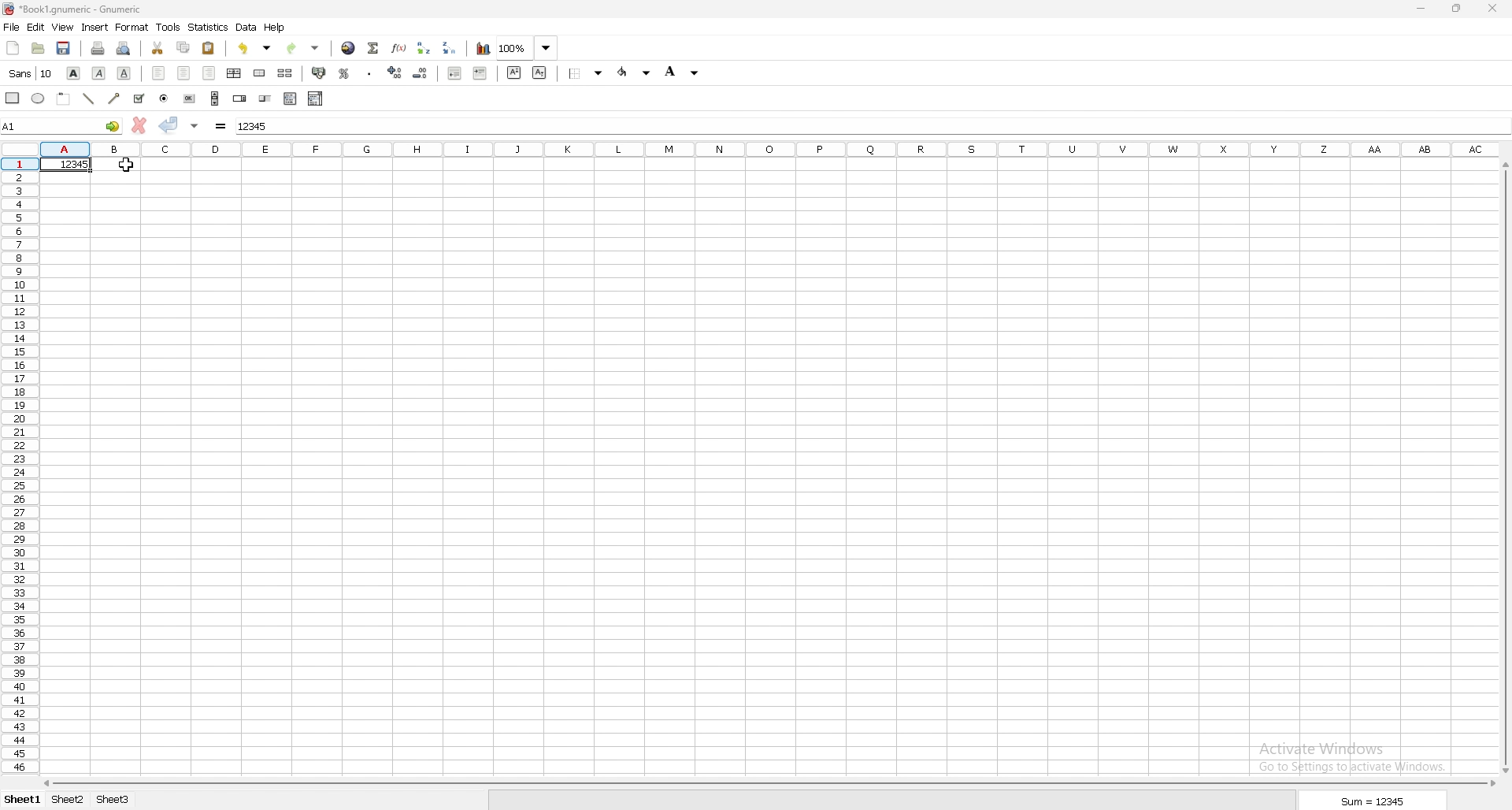 The image size is (1512, 810). I want to click on file, so click(11, 28).